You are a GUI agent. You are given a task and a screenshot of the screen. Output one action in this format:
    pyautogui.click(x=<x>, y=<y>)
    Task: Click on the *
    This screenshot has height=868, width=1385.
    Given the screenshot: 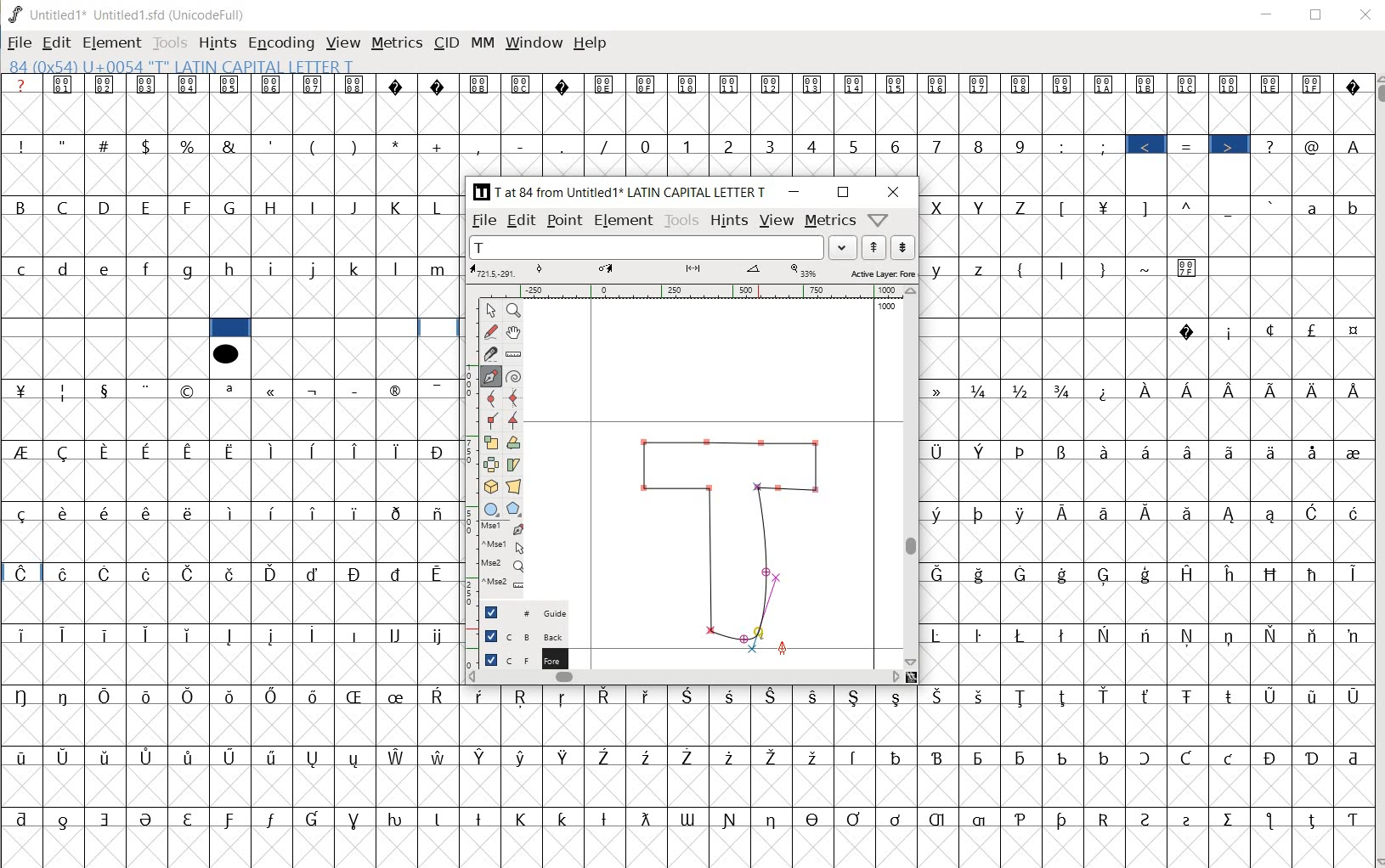 What is the action you would take?
    pyautogui.click(x=400, y=144)
    